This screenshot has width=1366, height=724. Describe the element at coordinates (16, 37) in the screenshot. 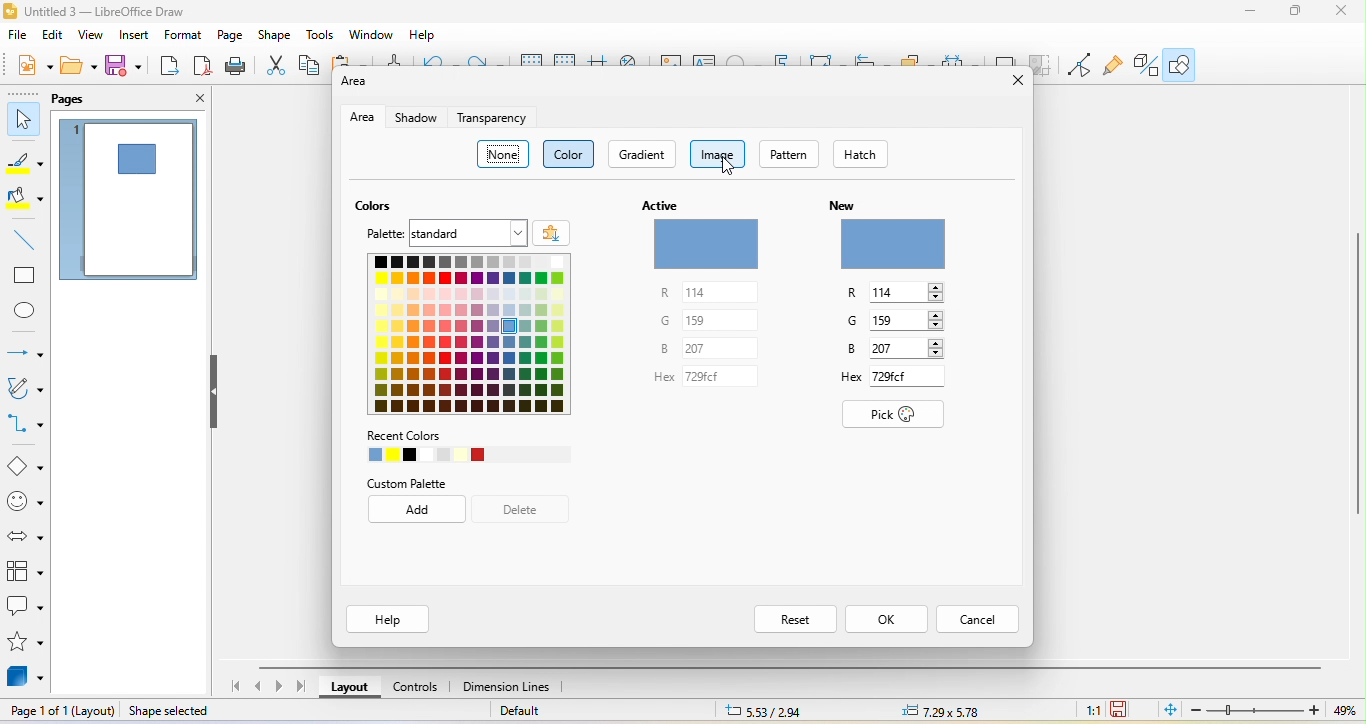

I see `file` at that location.